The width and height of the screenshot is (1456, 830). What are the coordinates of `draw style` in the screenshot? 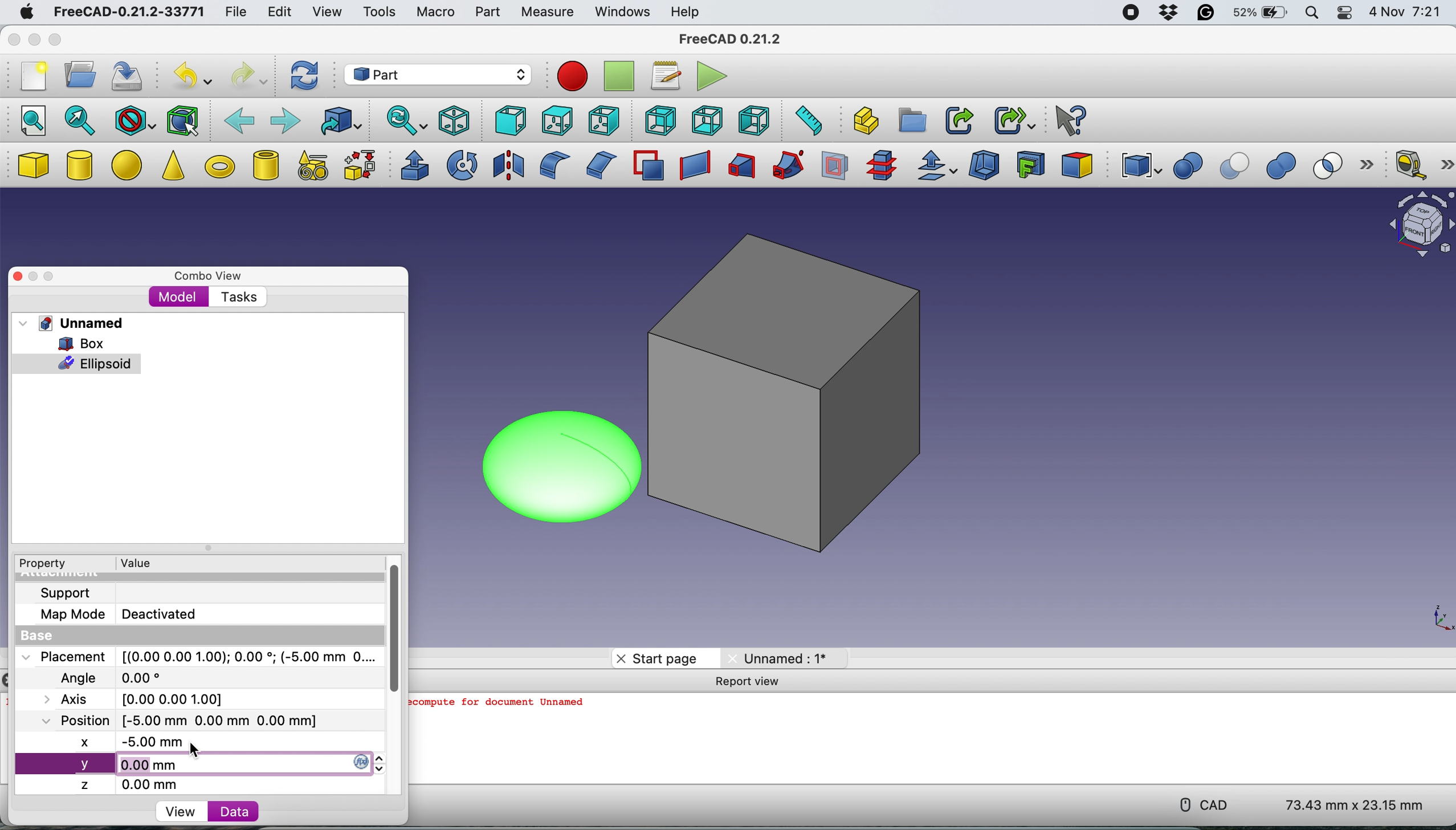 It's located at (134, 121).